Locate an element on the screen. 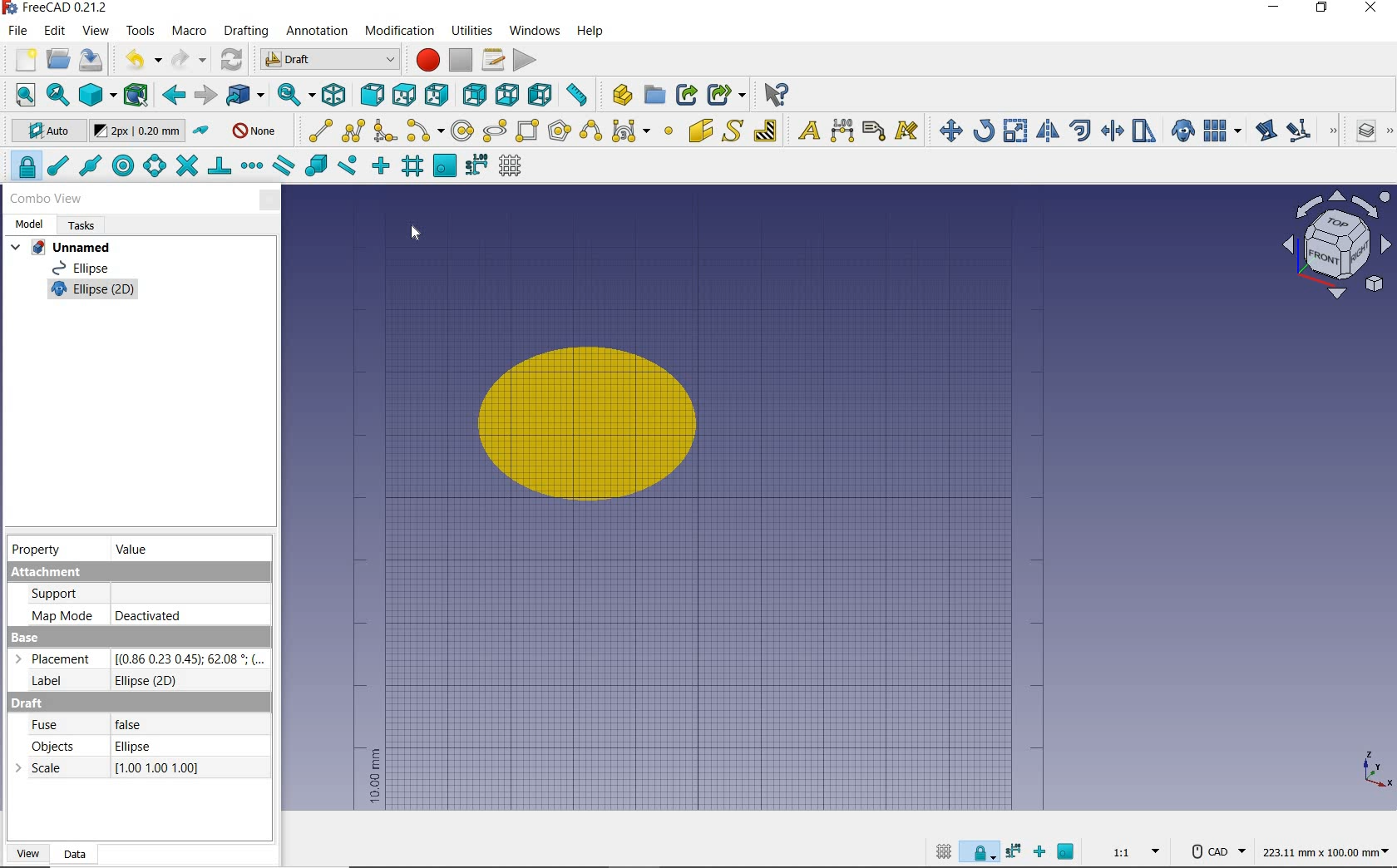 This screenshot has width=1397, height=868. snap lock is located at coordinates (23, 167).